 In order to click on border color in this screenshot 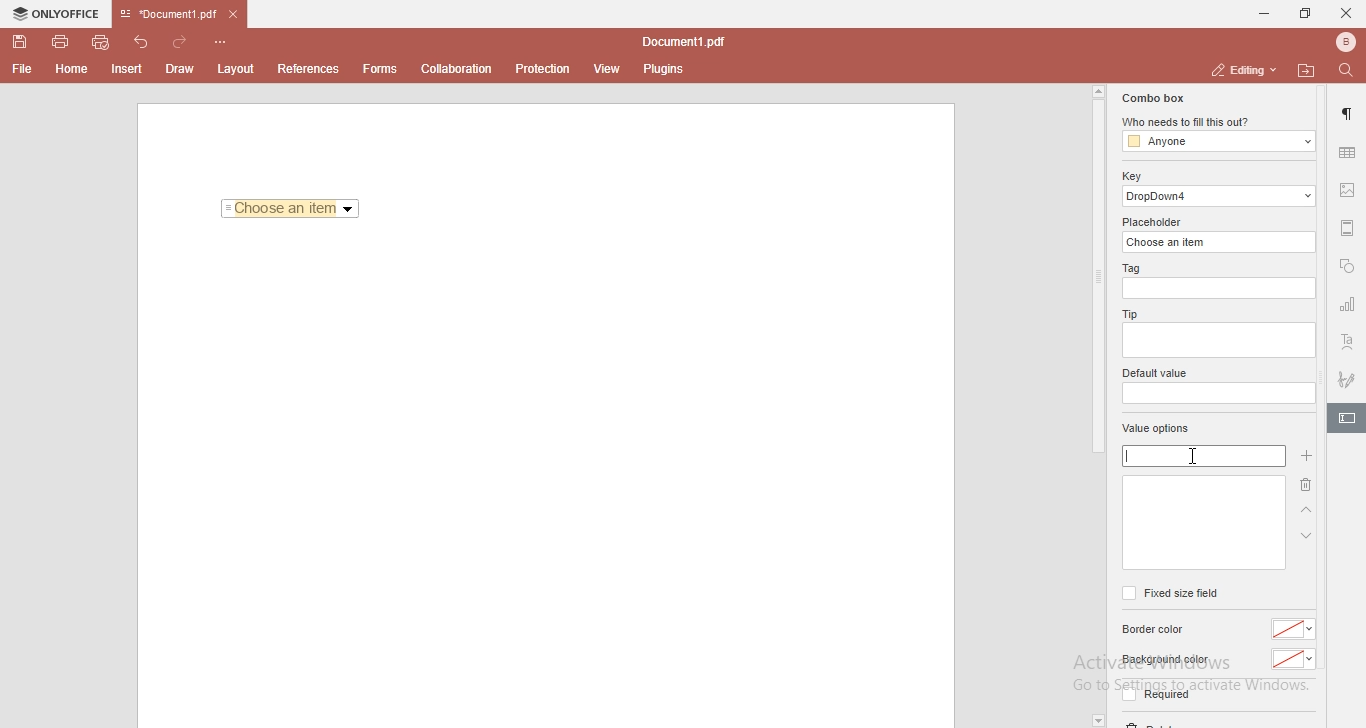, I will do `click(1156, 630)`.